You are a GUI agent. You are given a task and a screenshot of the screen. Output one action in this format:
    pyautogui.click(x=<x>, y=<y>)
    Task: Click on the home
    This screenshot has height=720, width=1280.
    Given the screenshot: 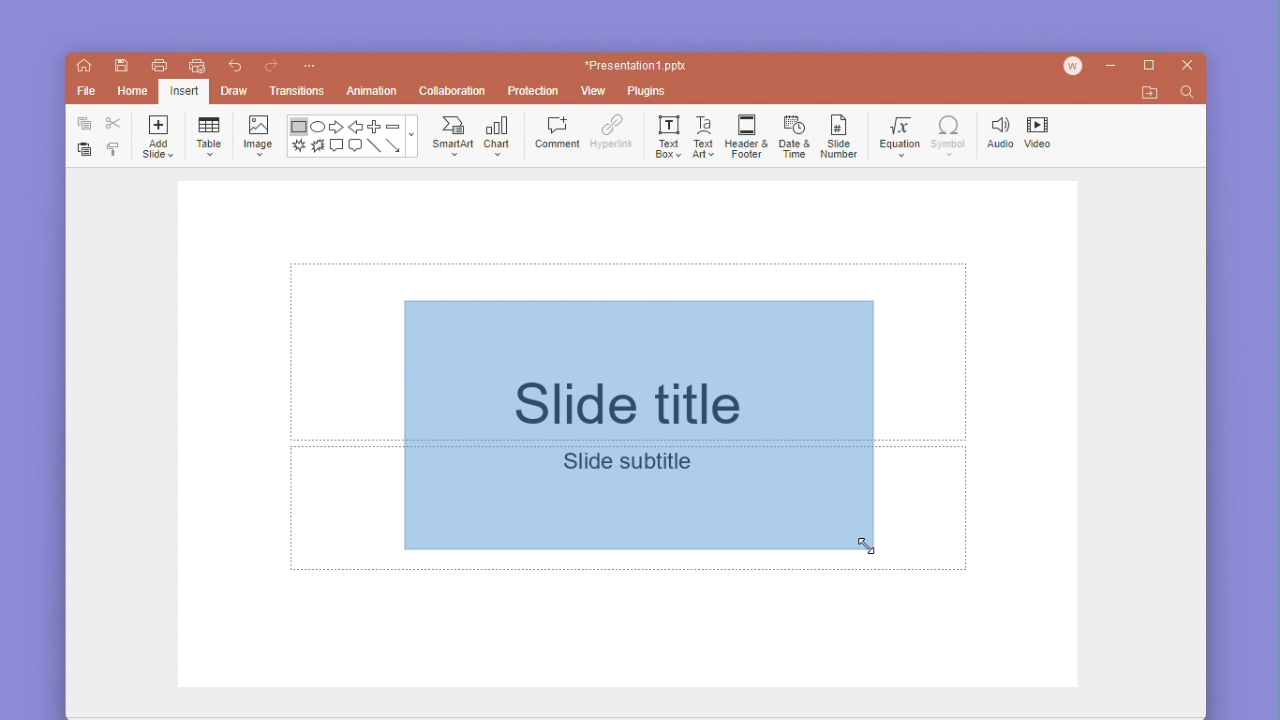 What is the action you would take?
    pyautogui.click(x=129, y=93)
    